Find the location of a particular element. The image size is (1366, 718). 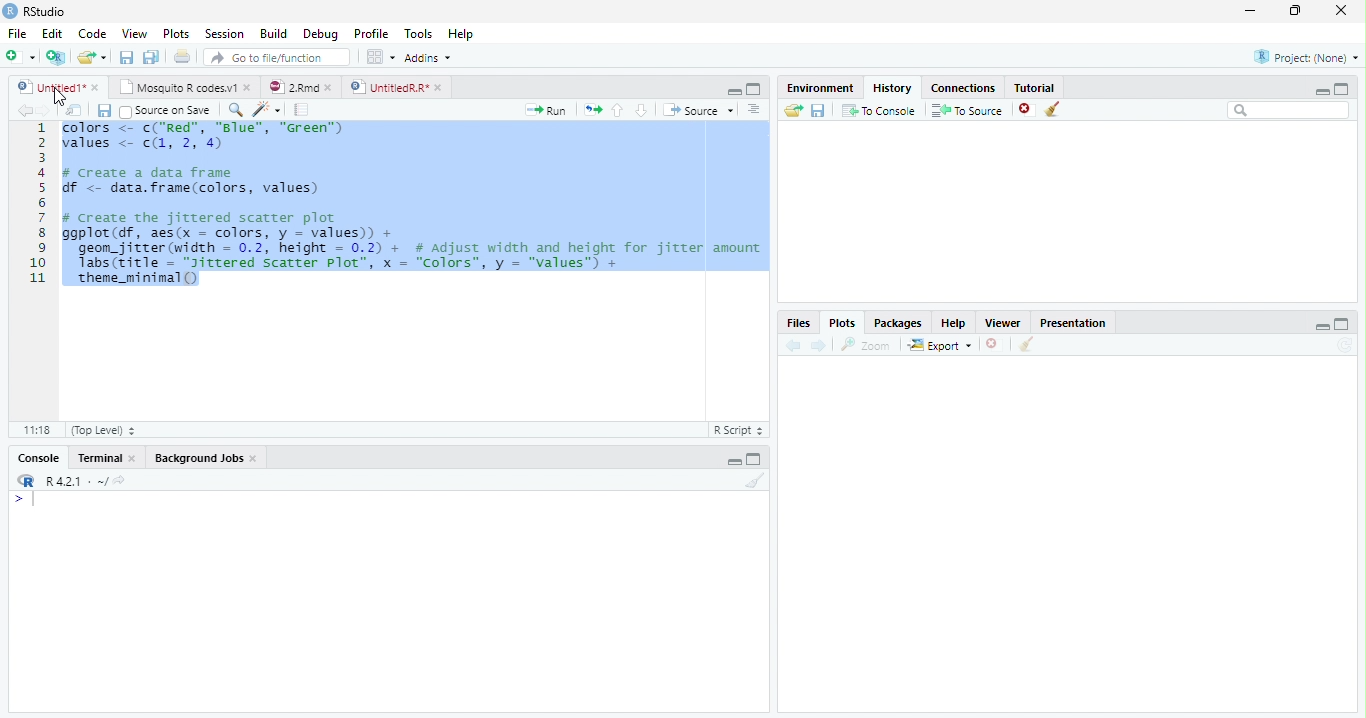

Plots is located at coordinates (842, 323).